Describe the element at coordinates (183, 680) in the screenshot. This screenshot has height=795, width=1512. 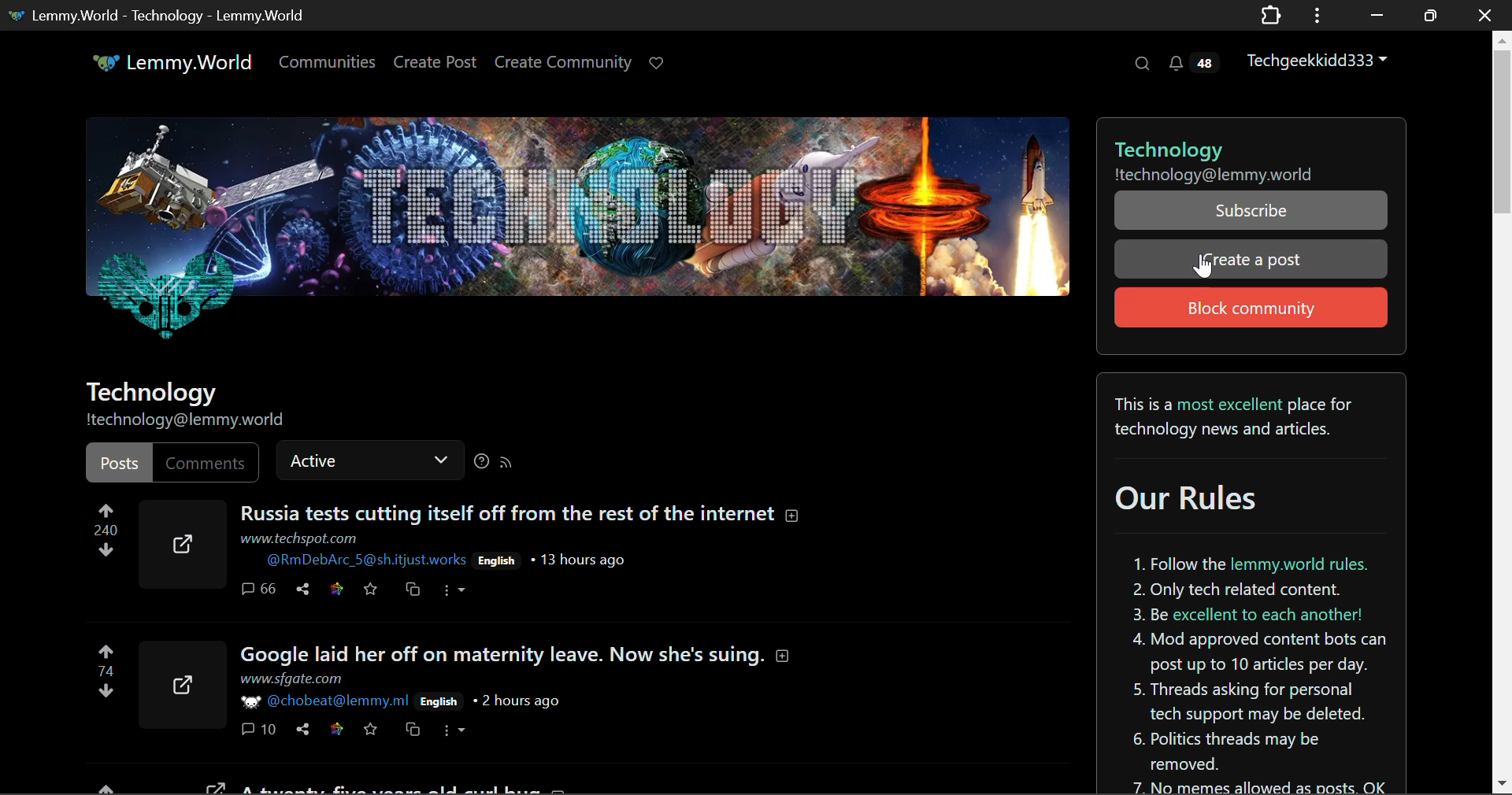
I see `External Link Icon` at that location.